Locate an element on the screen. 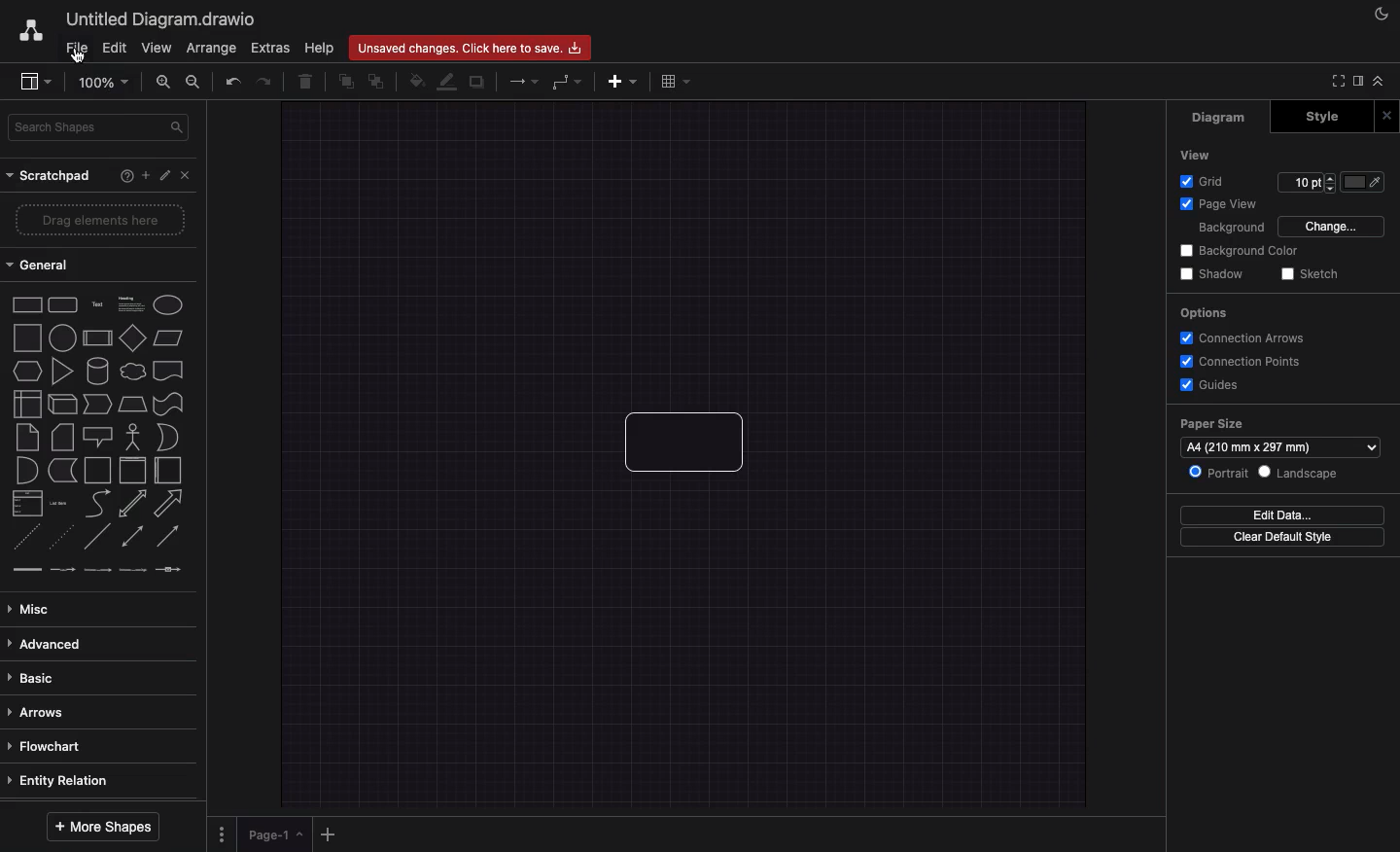 The image size is (1400, 852). General is located at coordinates (41, 264).